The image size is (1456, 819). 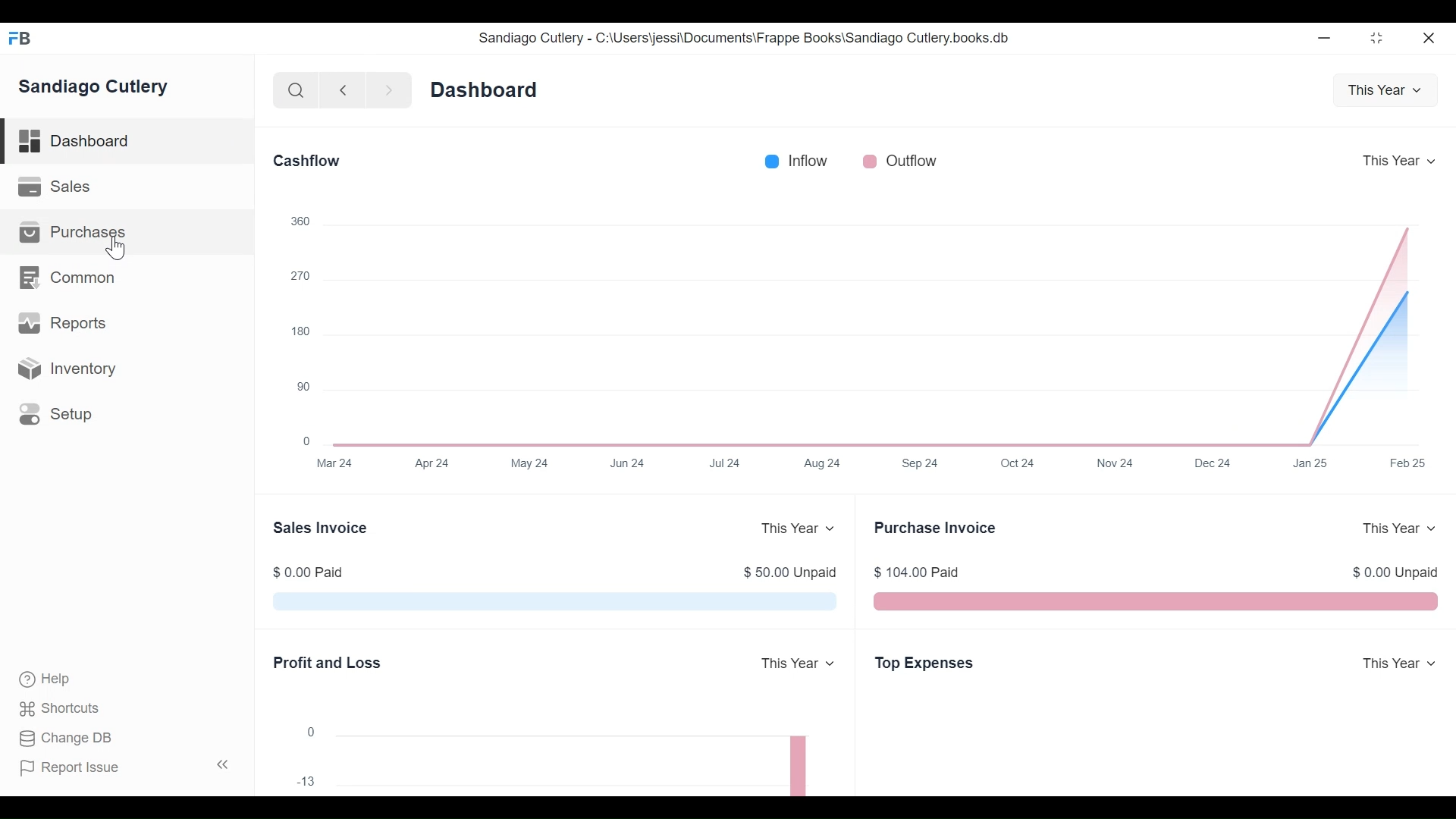 What do you see at coordinates (529, 462) in the screenshot?
I see `May 24` at bounding box center [529, 462].